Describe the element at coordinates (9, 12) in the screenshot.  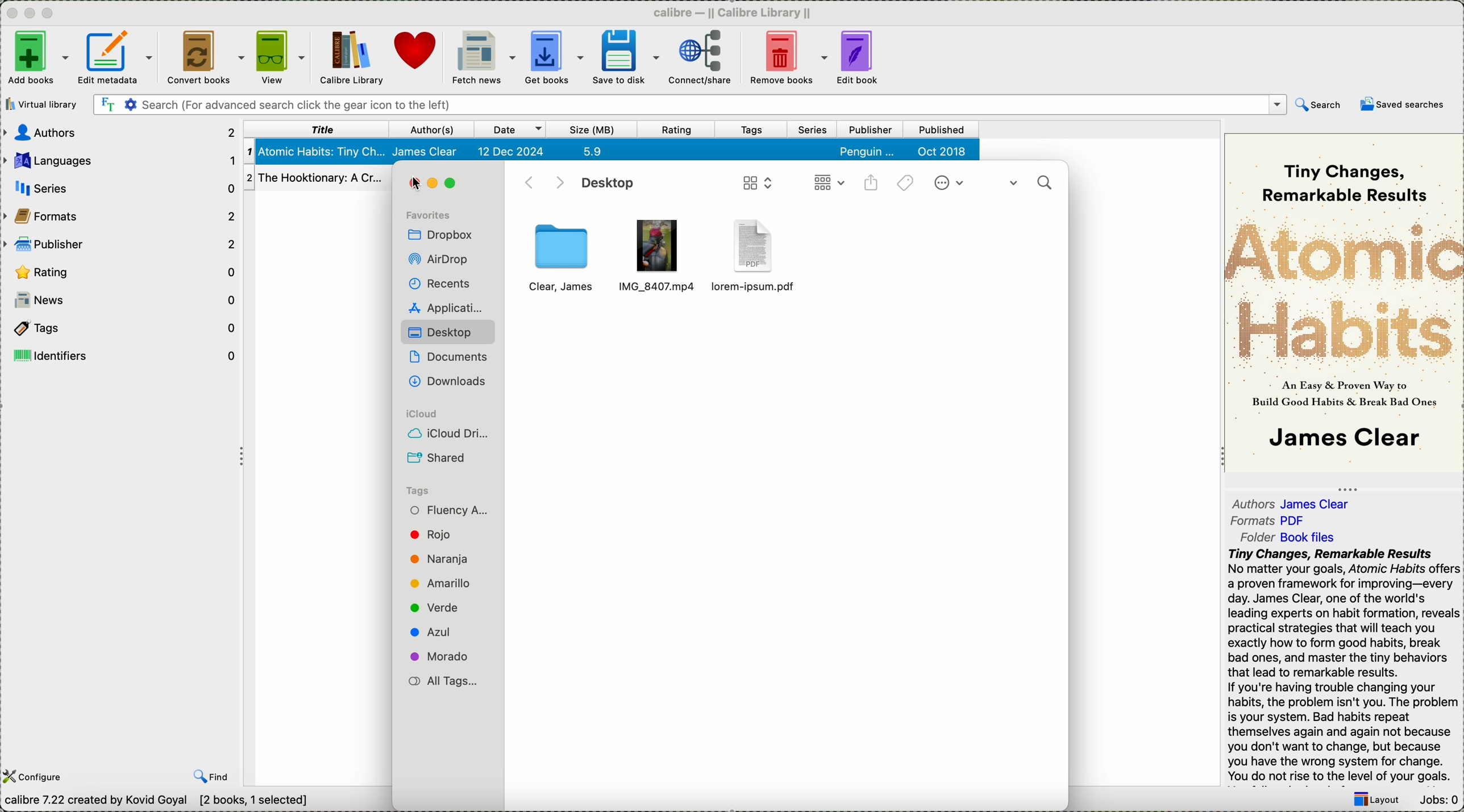
I see `close program` at that location.